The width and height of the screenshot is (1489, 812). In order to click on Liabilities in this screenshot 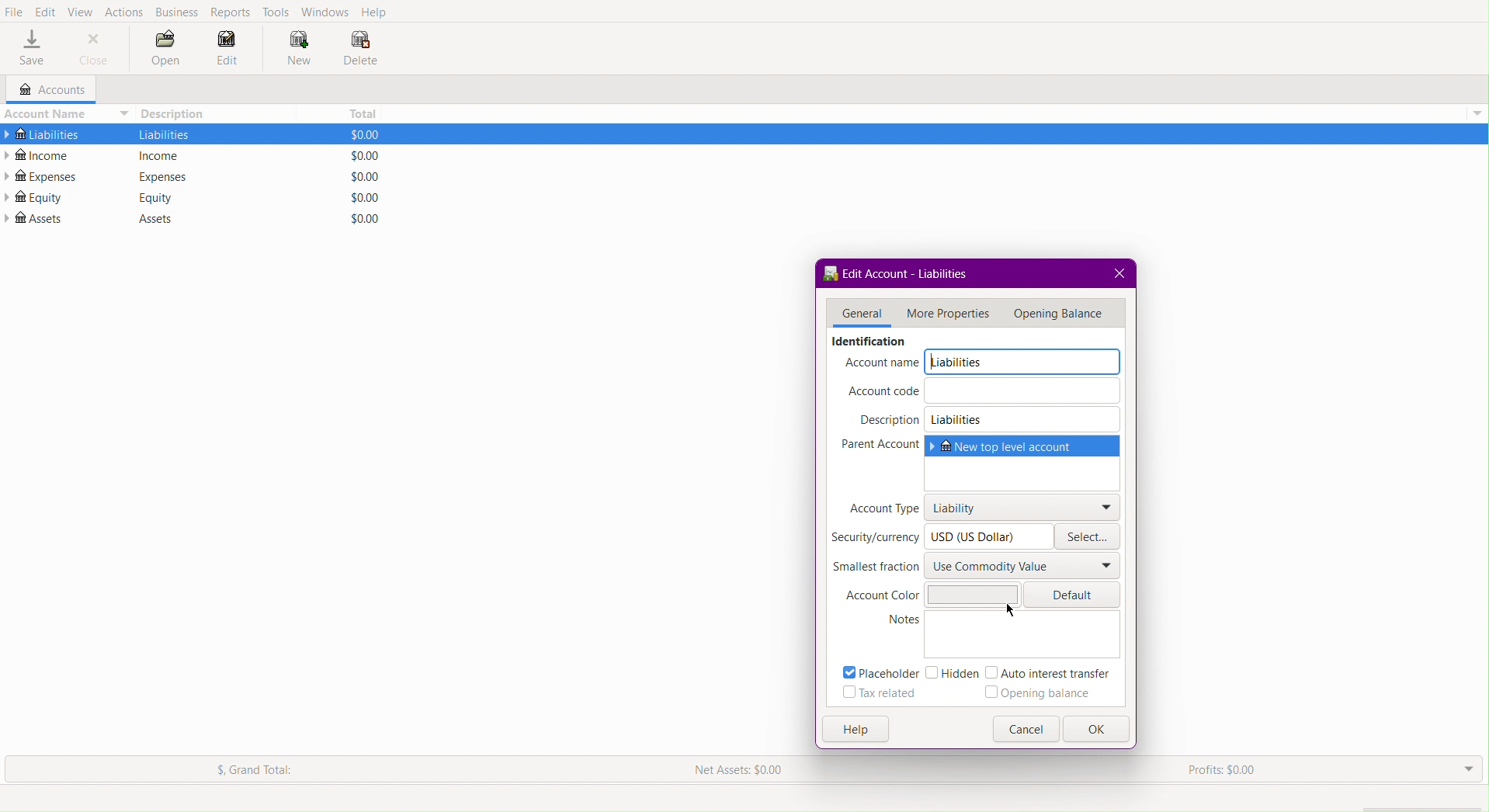, I will do `click(955, 362)`.